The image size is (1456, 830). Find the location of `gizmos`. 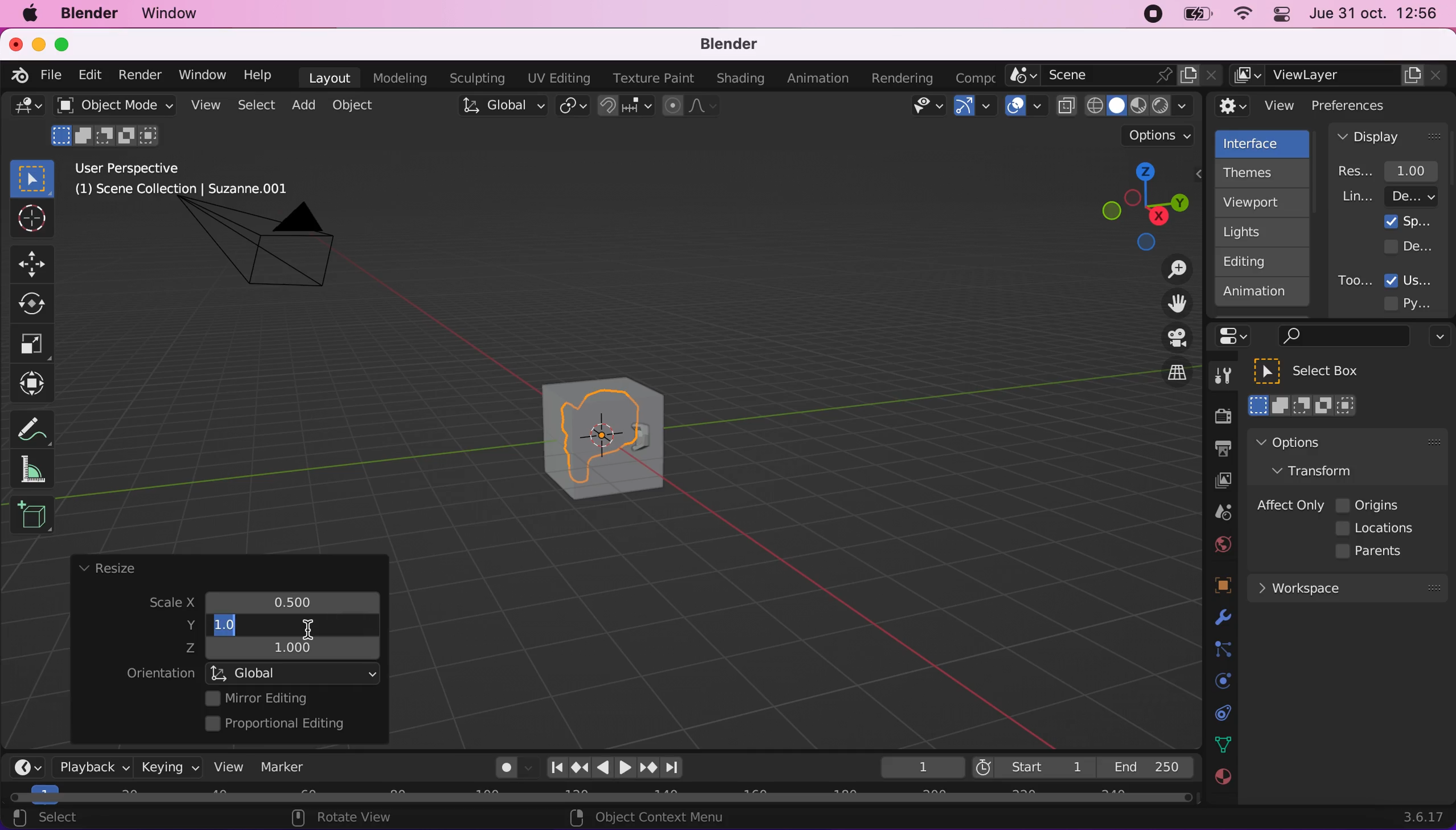

gizmos is located at coordinates (974, 109).